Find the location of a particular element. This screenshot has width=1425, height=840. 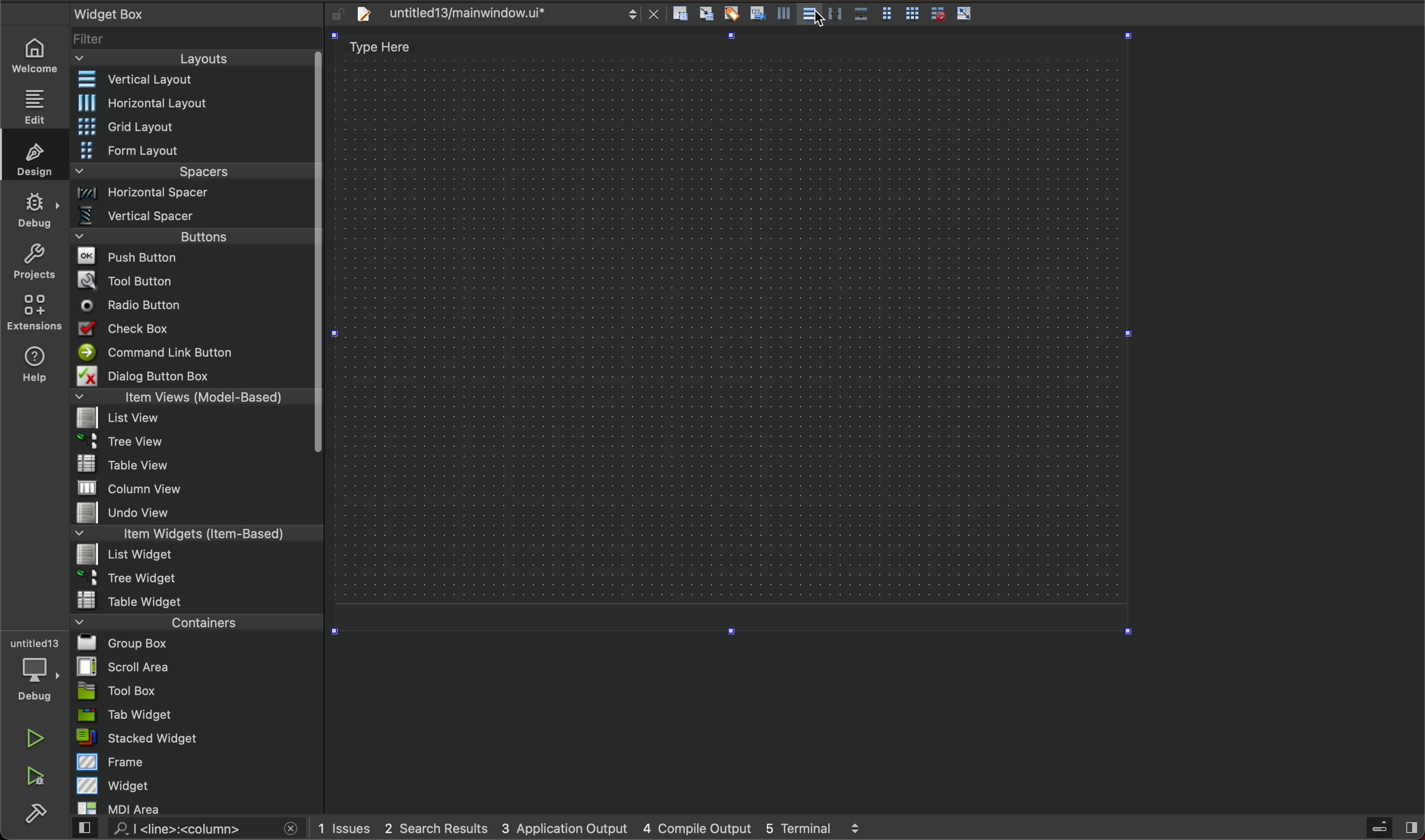

curSor is located at coordinates (821, 22).